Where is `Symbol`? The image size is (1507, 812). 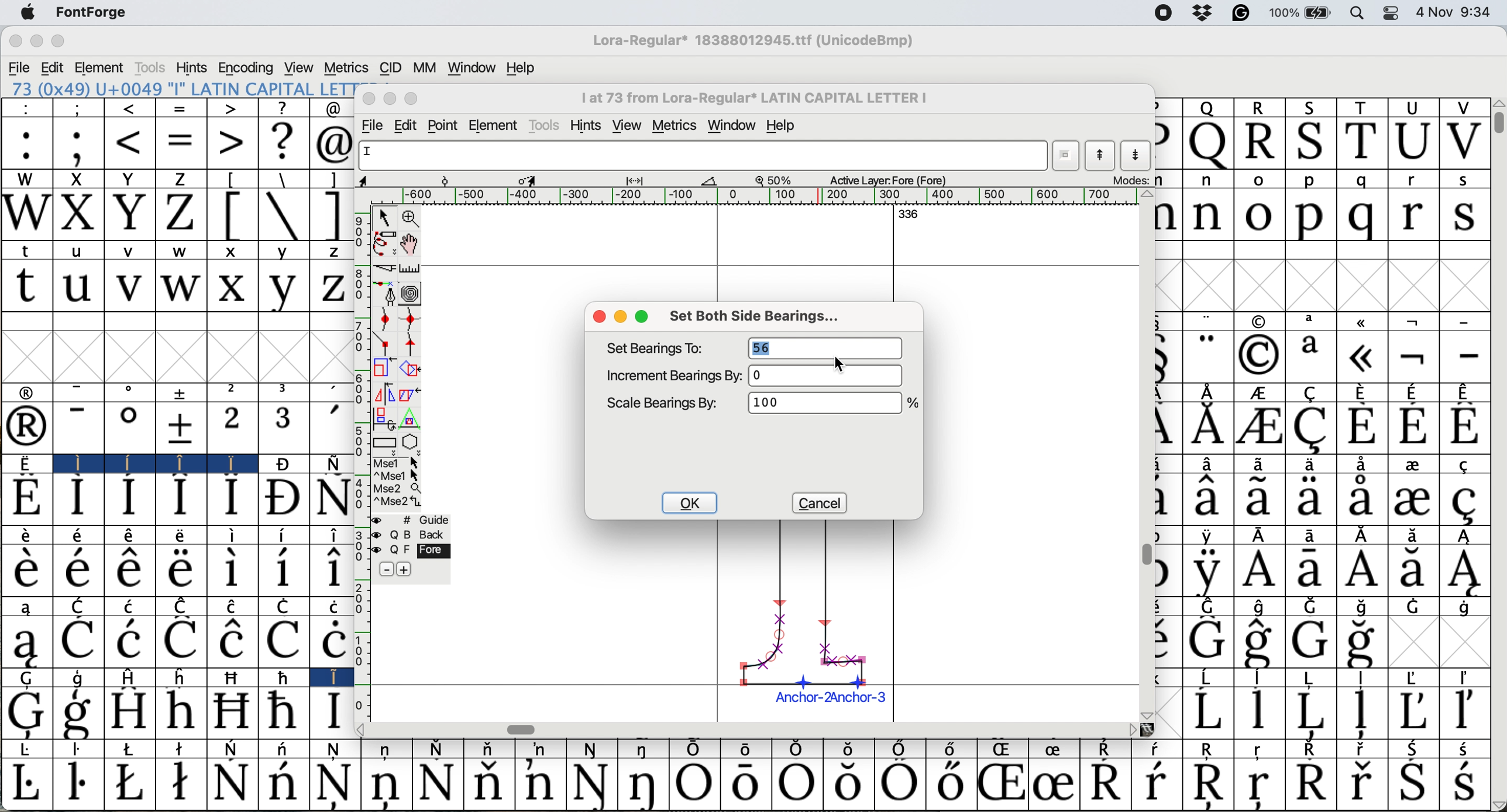 Symbol is located at coordinates (1466, 570).